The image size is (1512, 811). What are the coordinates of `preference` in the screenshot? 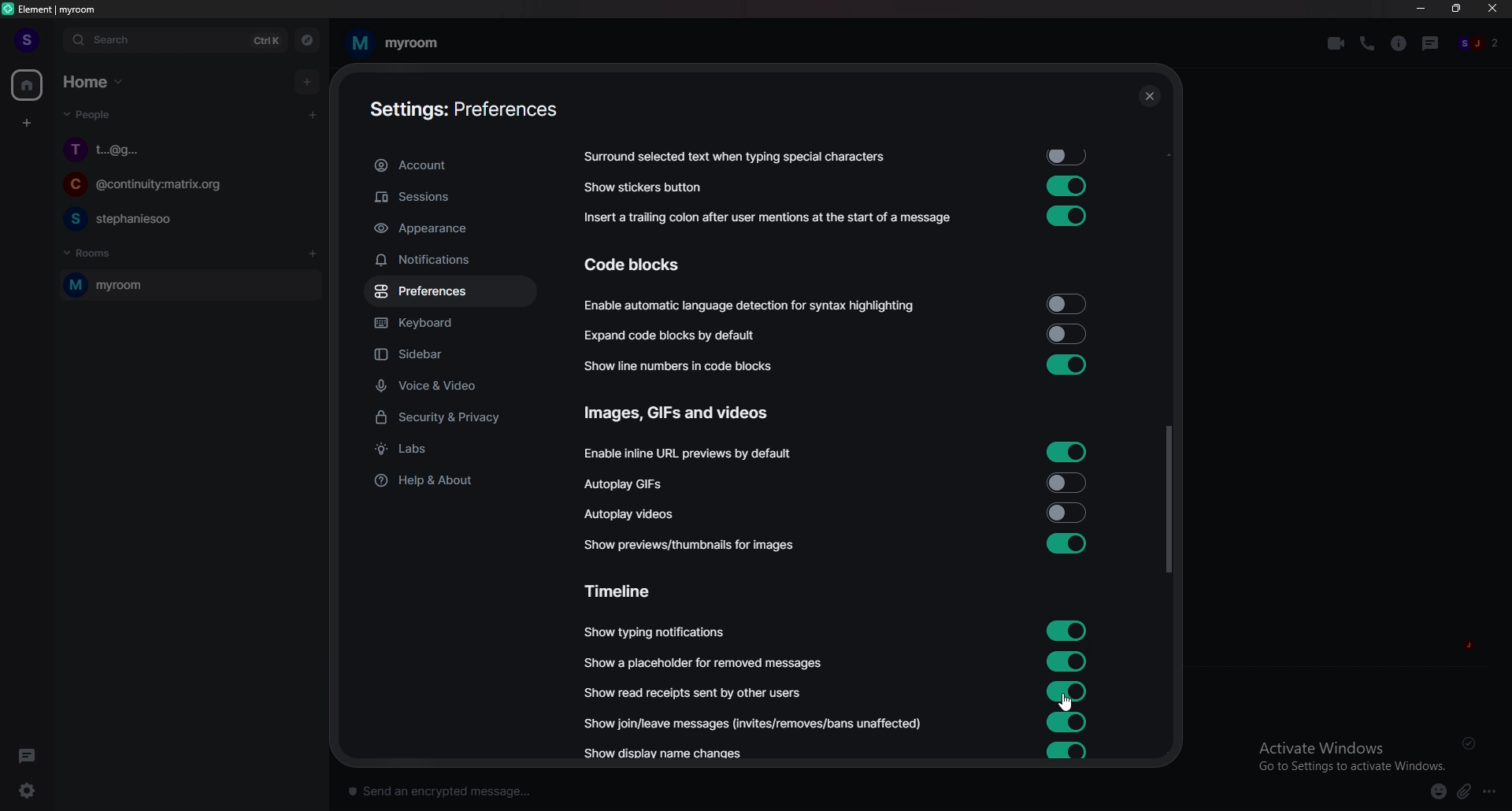 It's located at (450, 292).